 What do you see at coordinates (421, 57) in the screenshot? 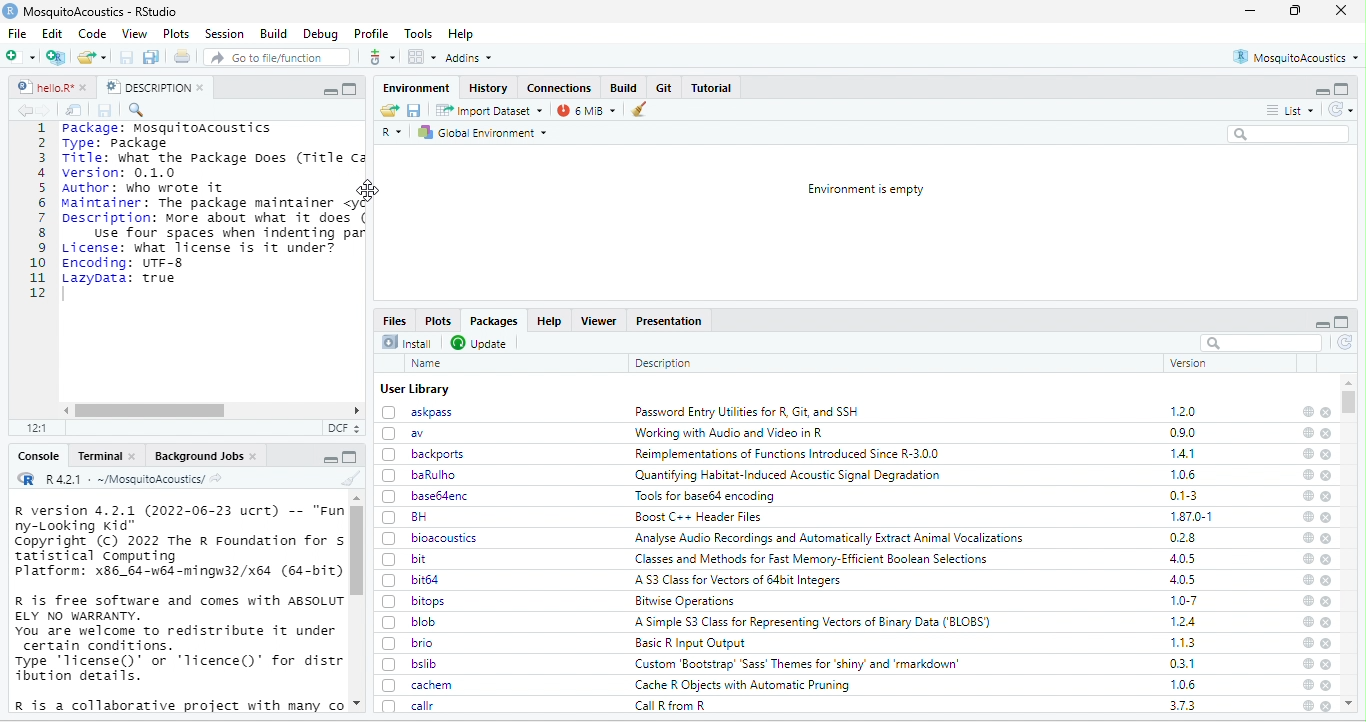
I see `workspace panes` at bounding box center [421, 57].